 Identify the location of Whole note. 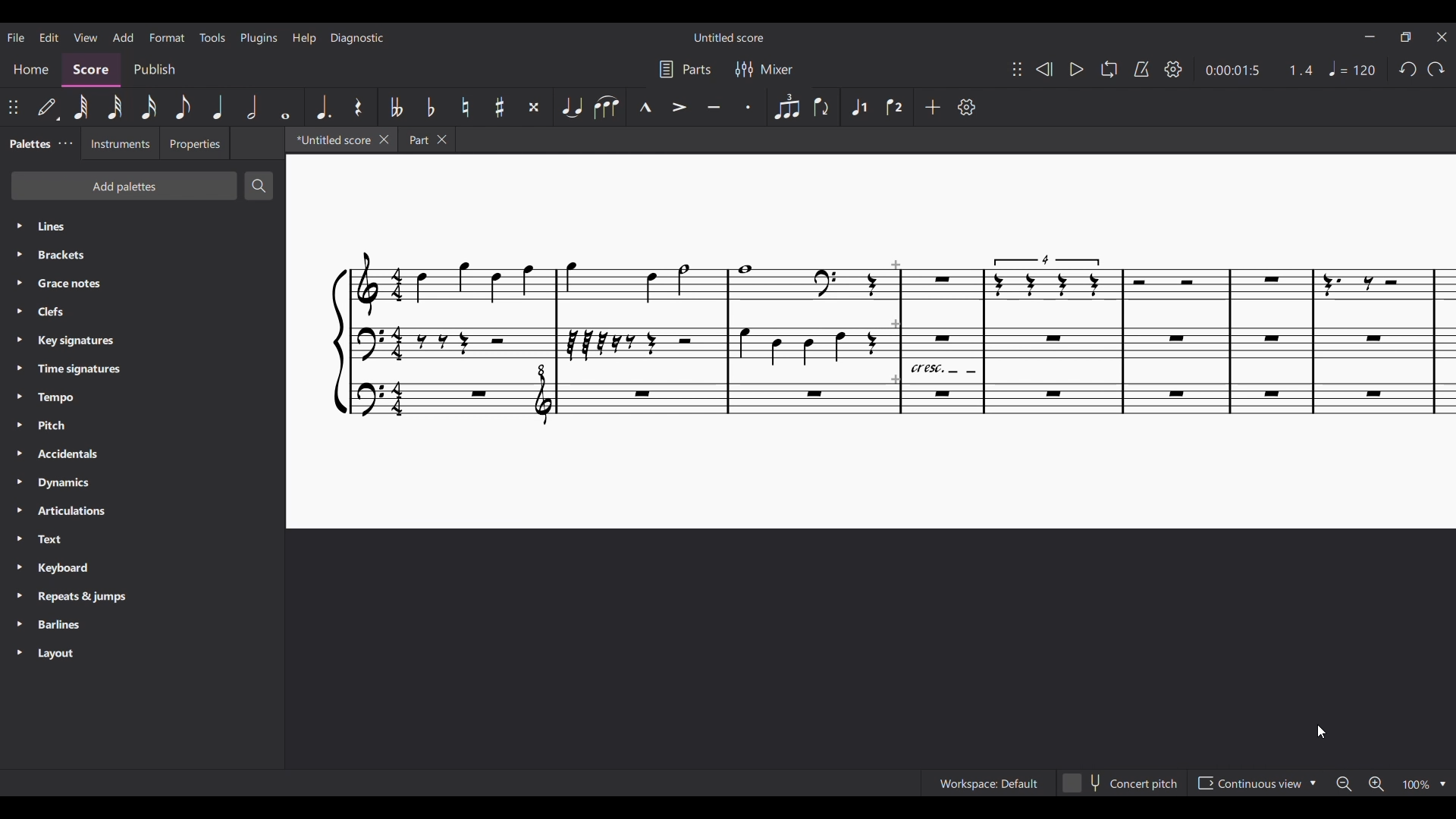
(285, 107).